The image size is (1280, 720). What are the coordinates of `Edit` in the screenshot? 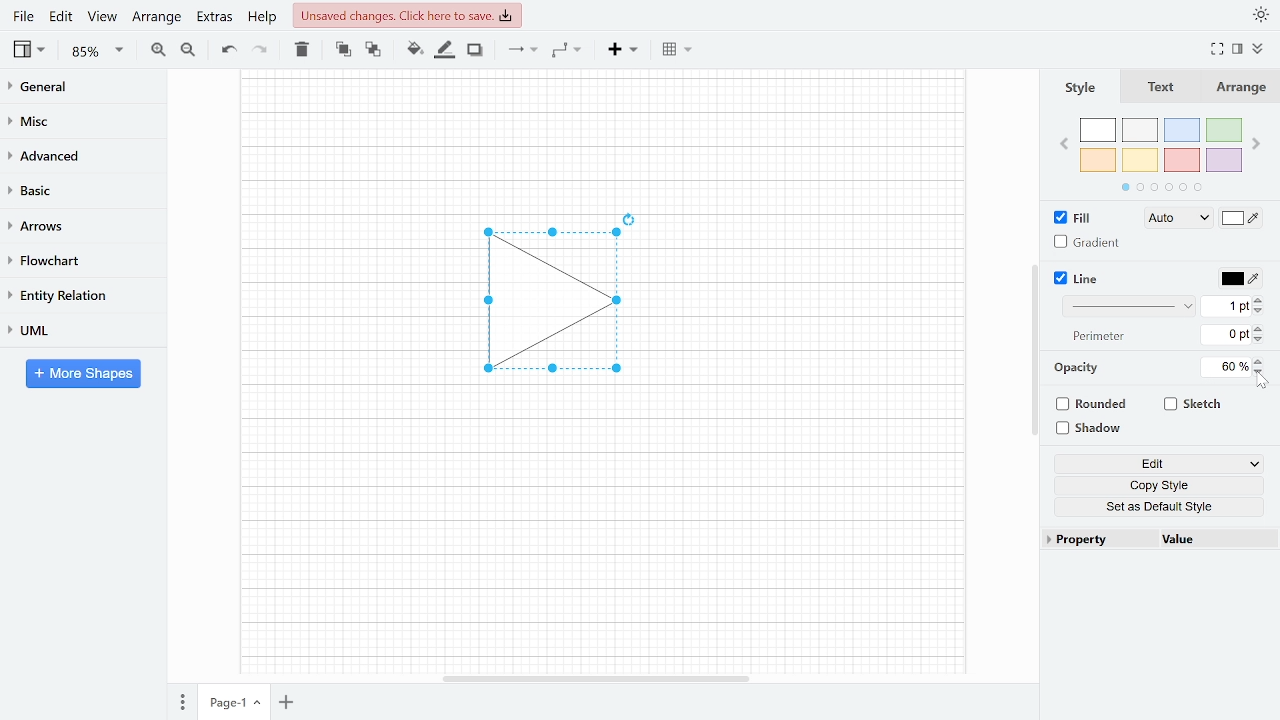 It's located at (1159, 465).